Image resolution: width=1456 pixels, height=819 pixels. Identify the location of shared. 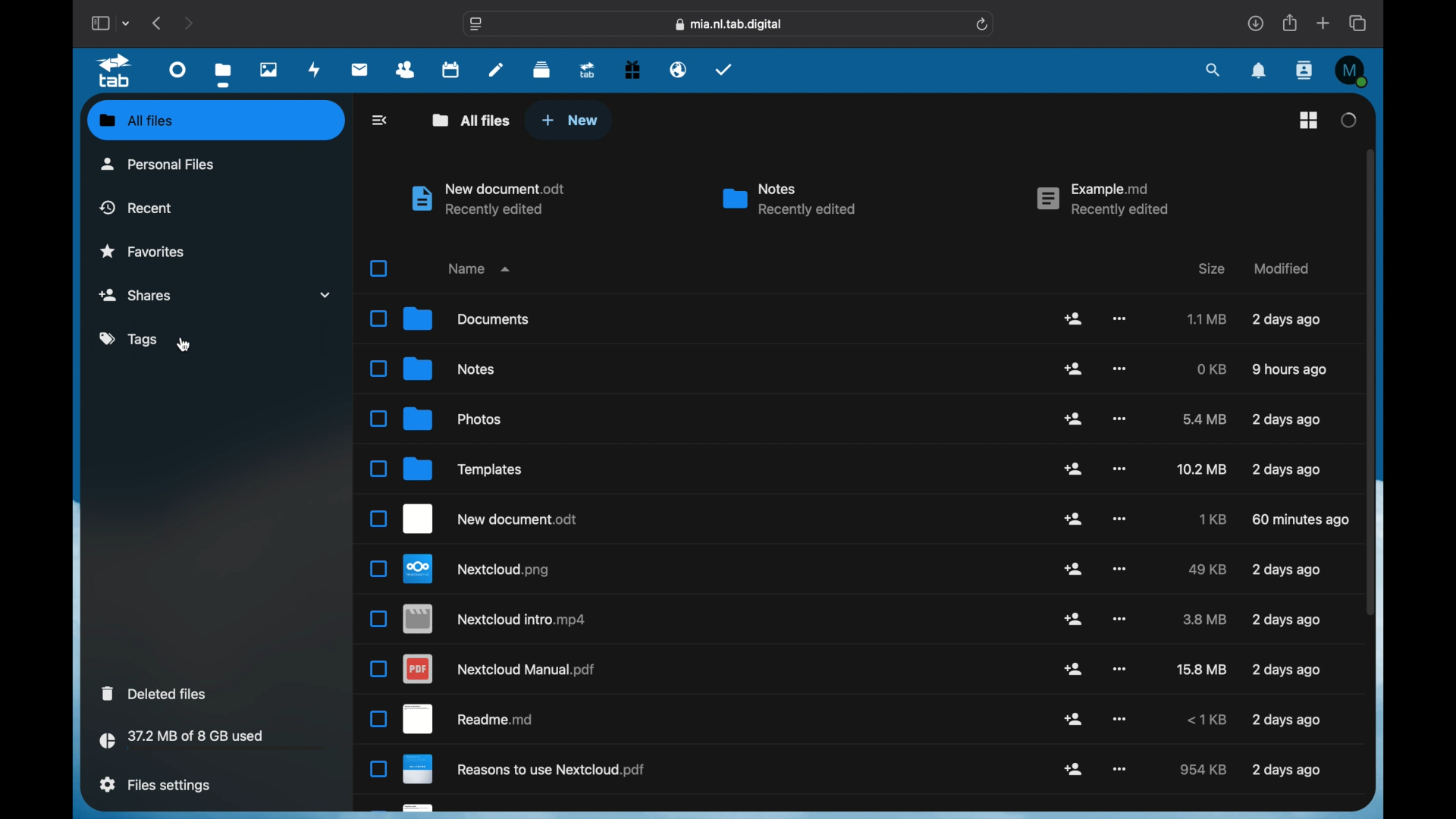
(1075, 720).